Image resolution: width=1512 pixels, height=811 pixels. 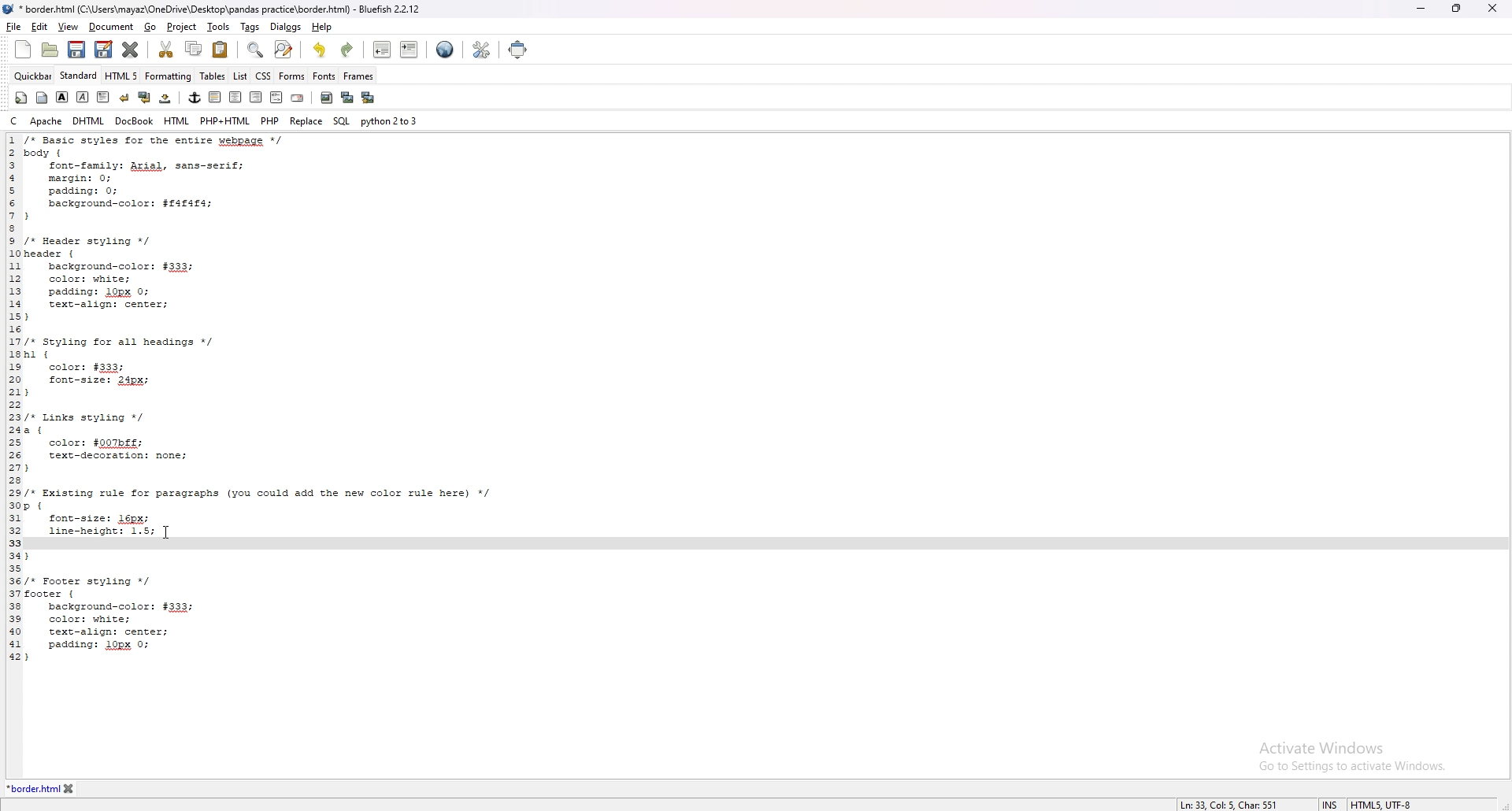 What do you see at coordinates (217, 26) in the screenshot?
I see `tools` at bounding box center [217, 26].